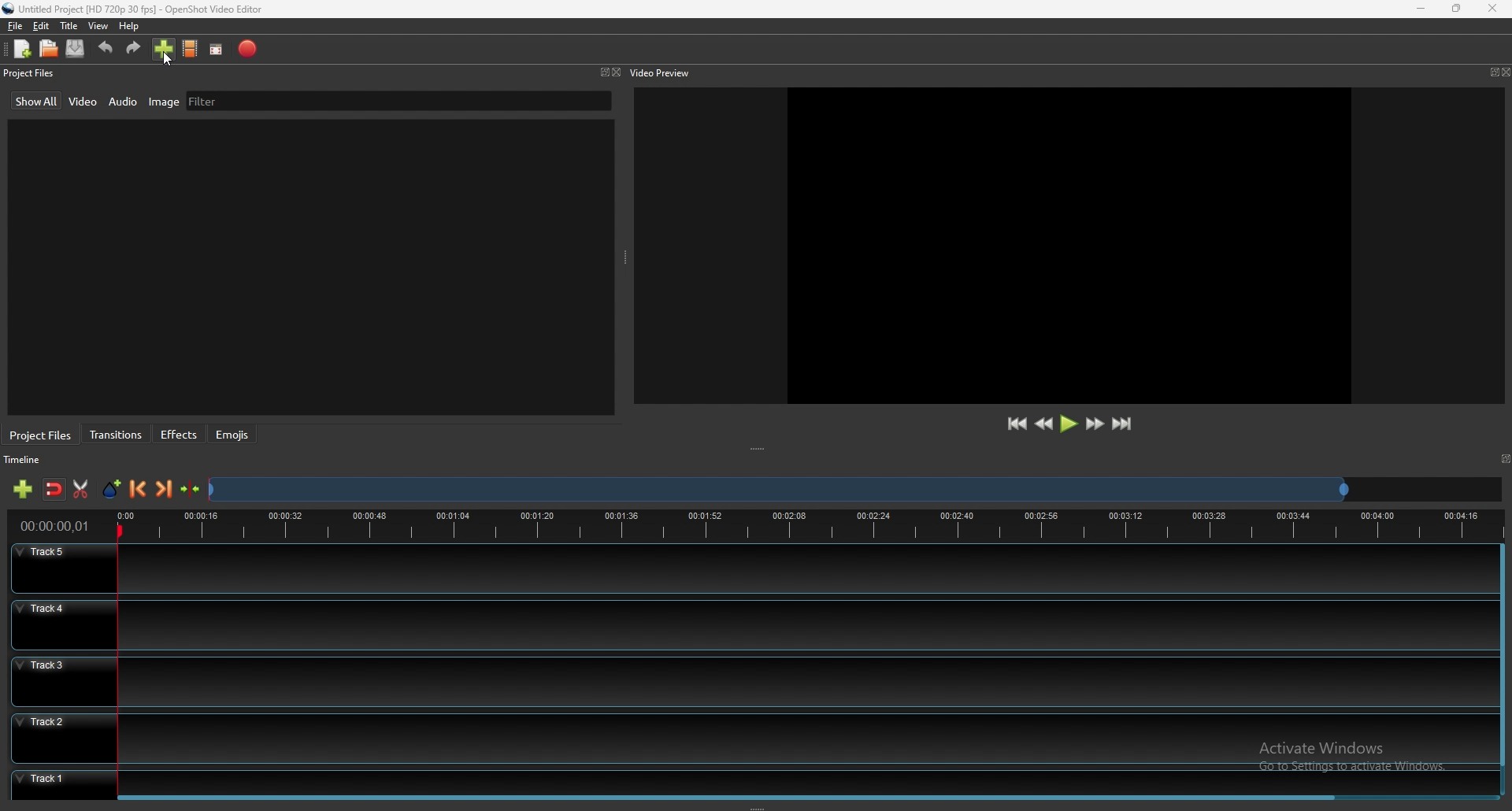  Describe the element at coordinates (747, 680) in the screenshot. I see `track 3` at that location.